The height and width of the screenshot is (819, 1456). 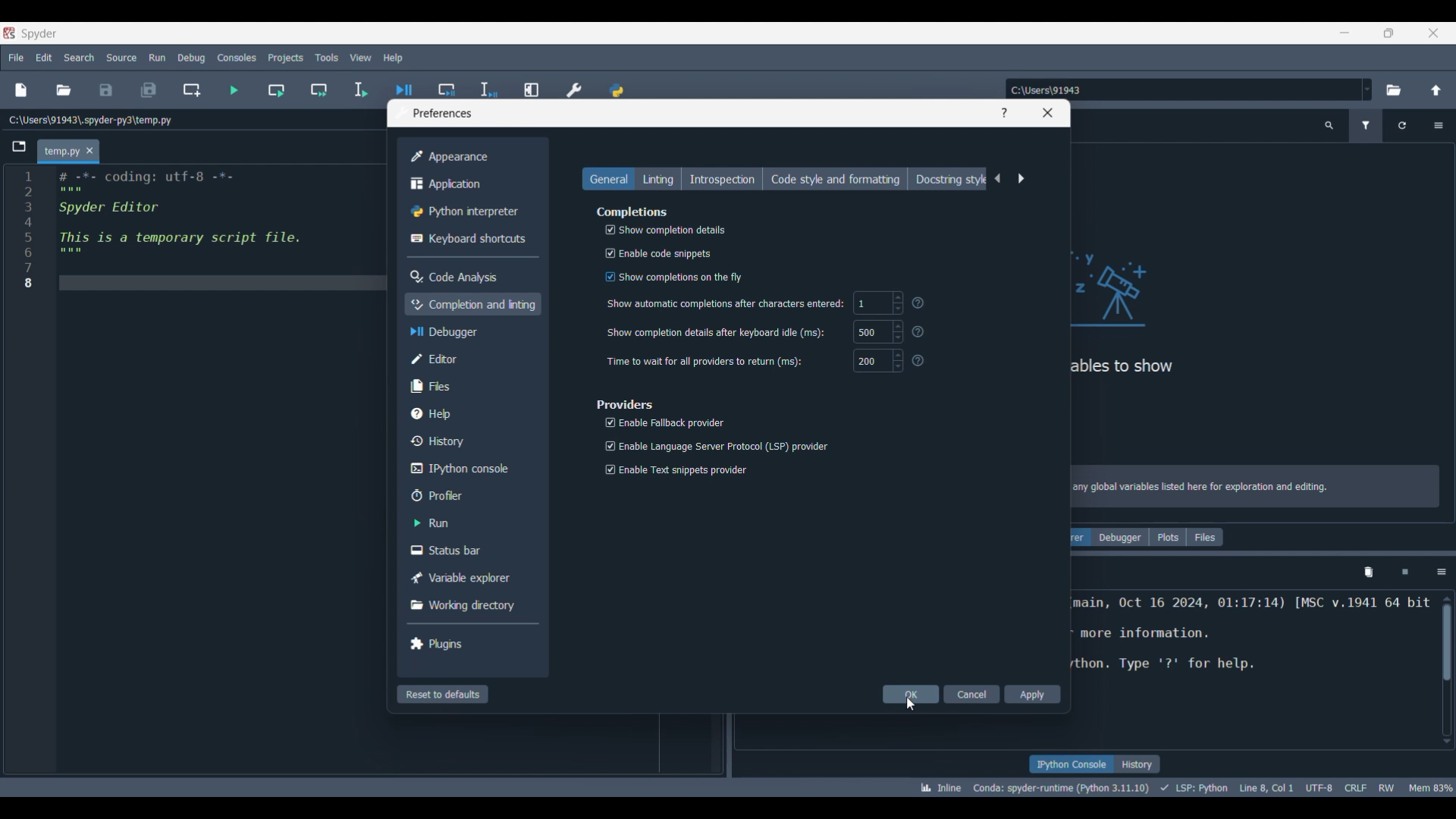 What do you see at coordinates (470, 386) in the screenshot?
I see `Files` at bounding box center [470, 386].